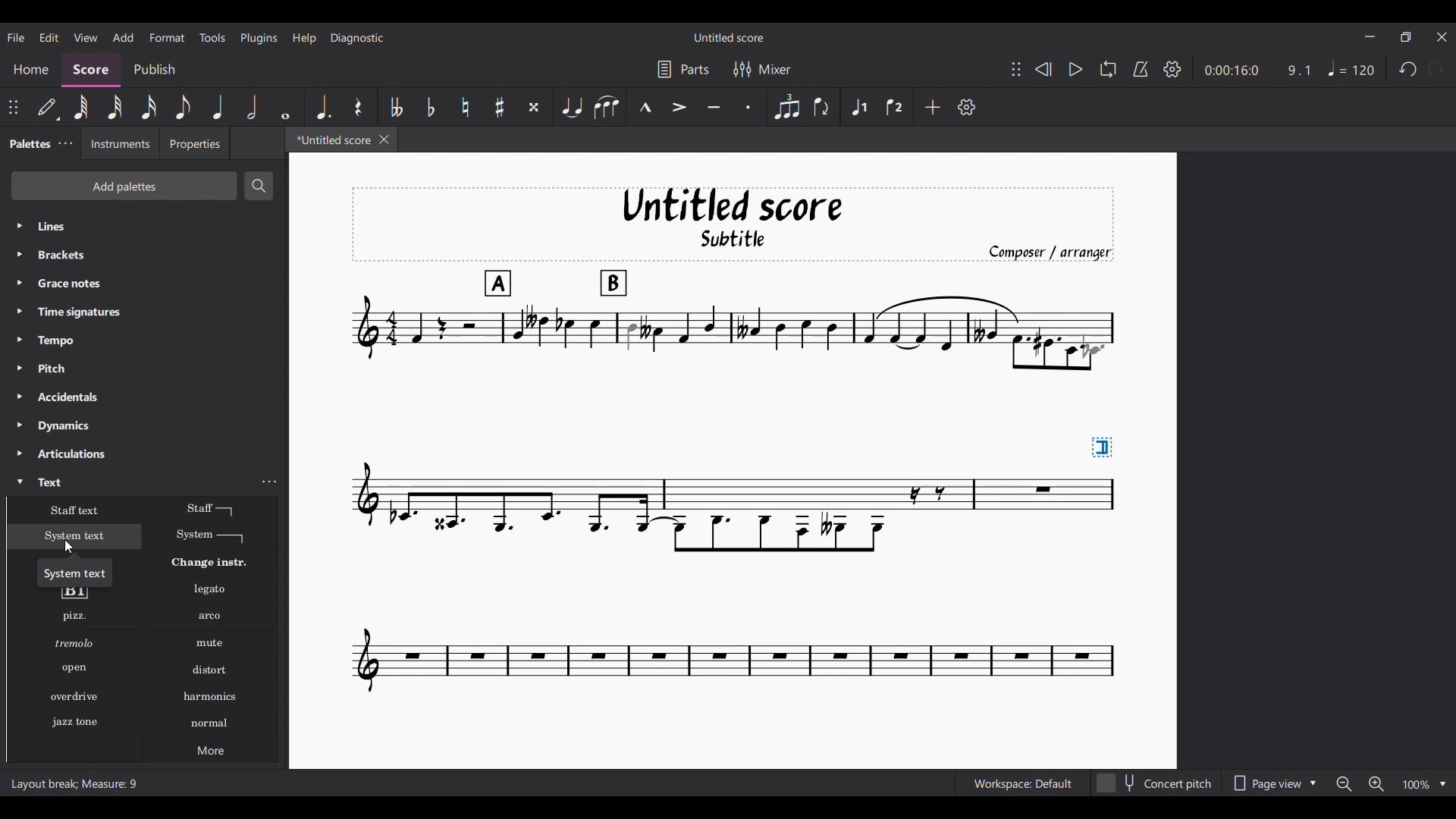 The width and height of the screenshot is (1456, 819). Describe the element at coordinates (1016, 69) in the screenshot. I see `Change position` at that location.